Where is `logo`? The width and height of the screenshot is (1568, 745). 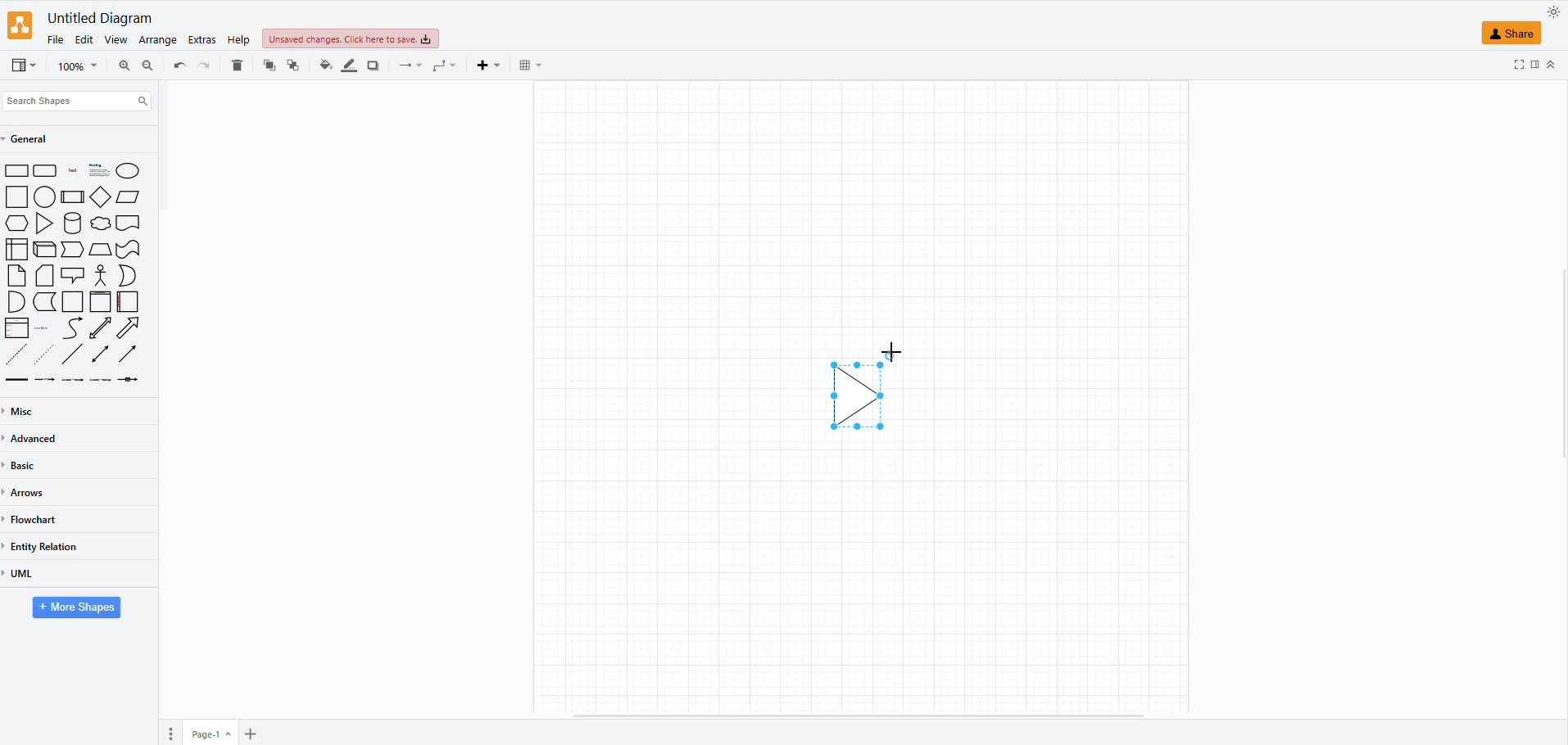 logo is located at coordinates (21, 26).